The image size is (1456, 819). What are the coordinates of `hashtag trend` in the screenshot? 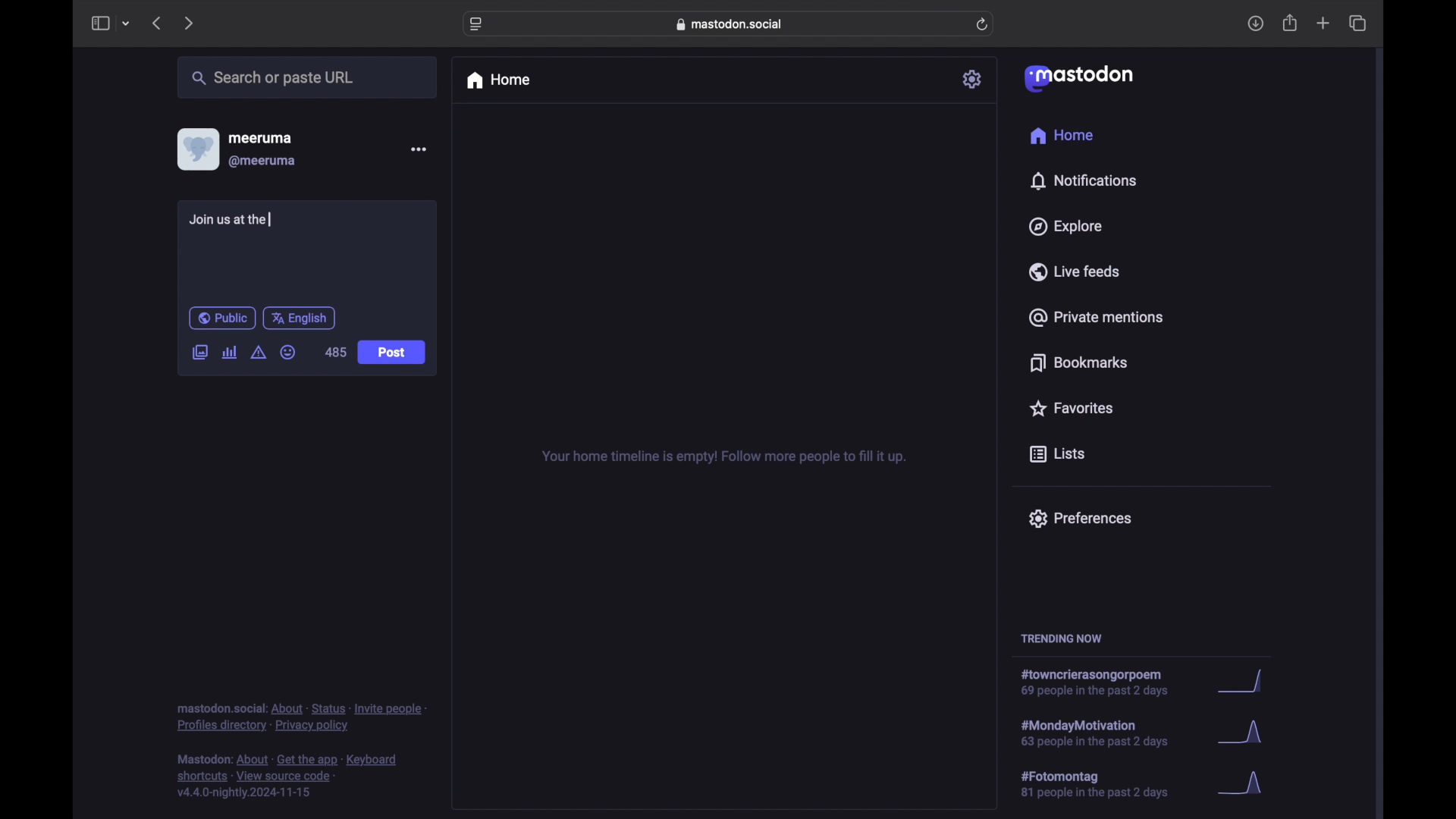 It's located at (1105, 785).